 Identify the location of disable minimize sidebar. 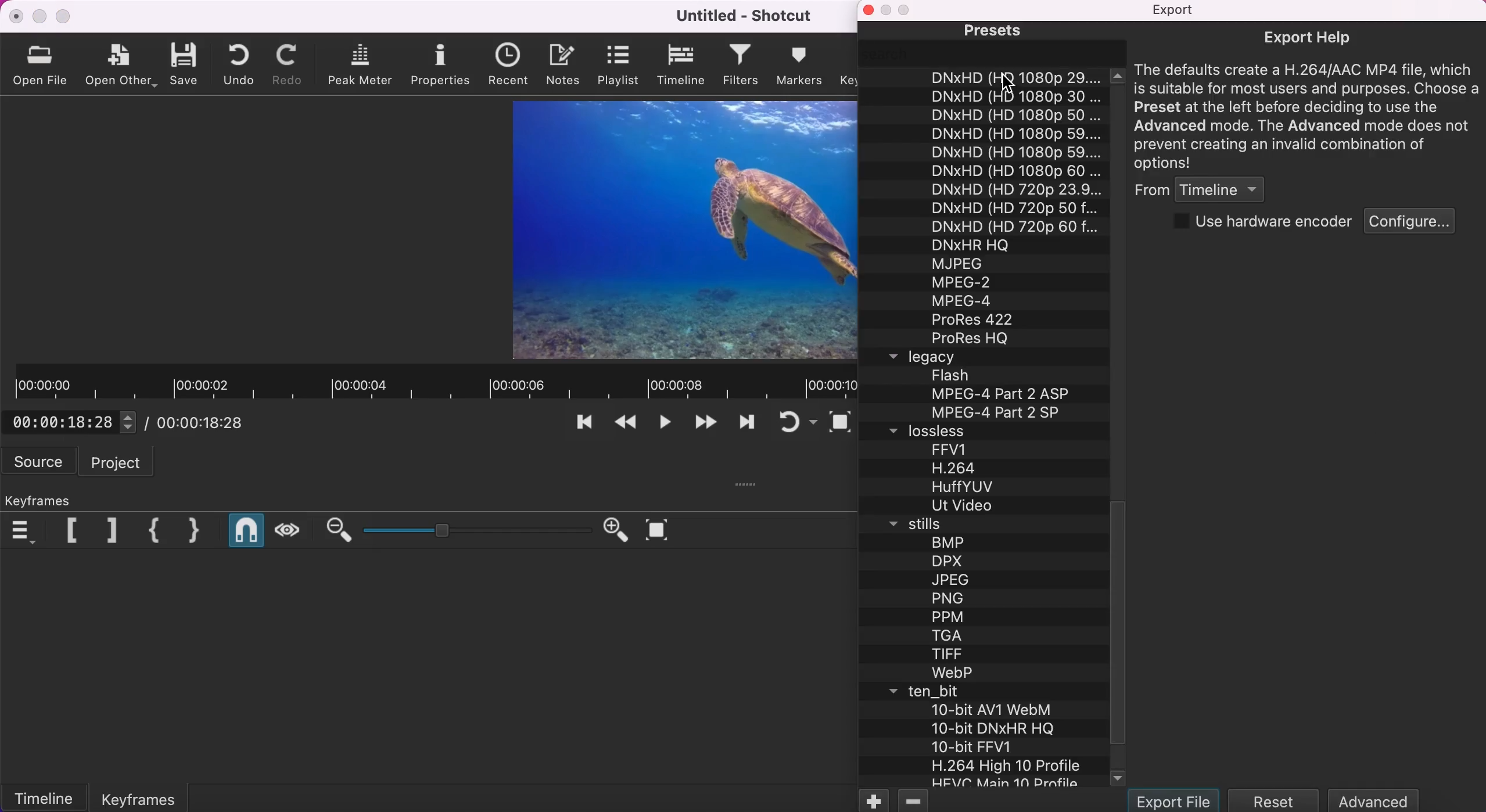
(888, 12).